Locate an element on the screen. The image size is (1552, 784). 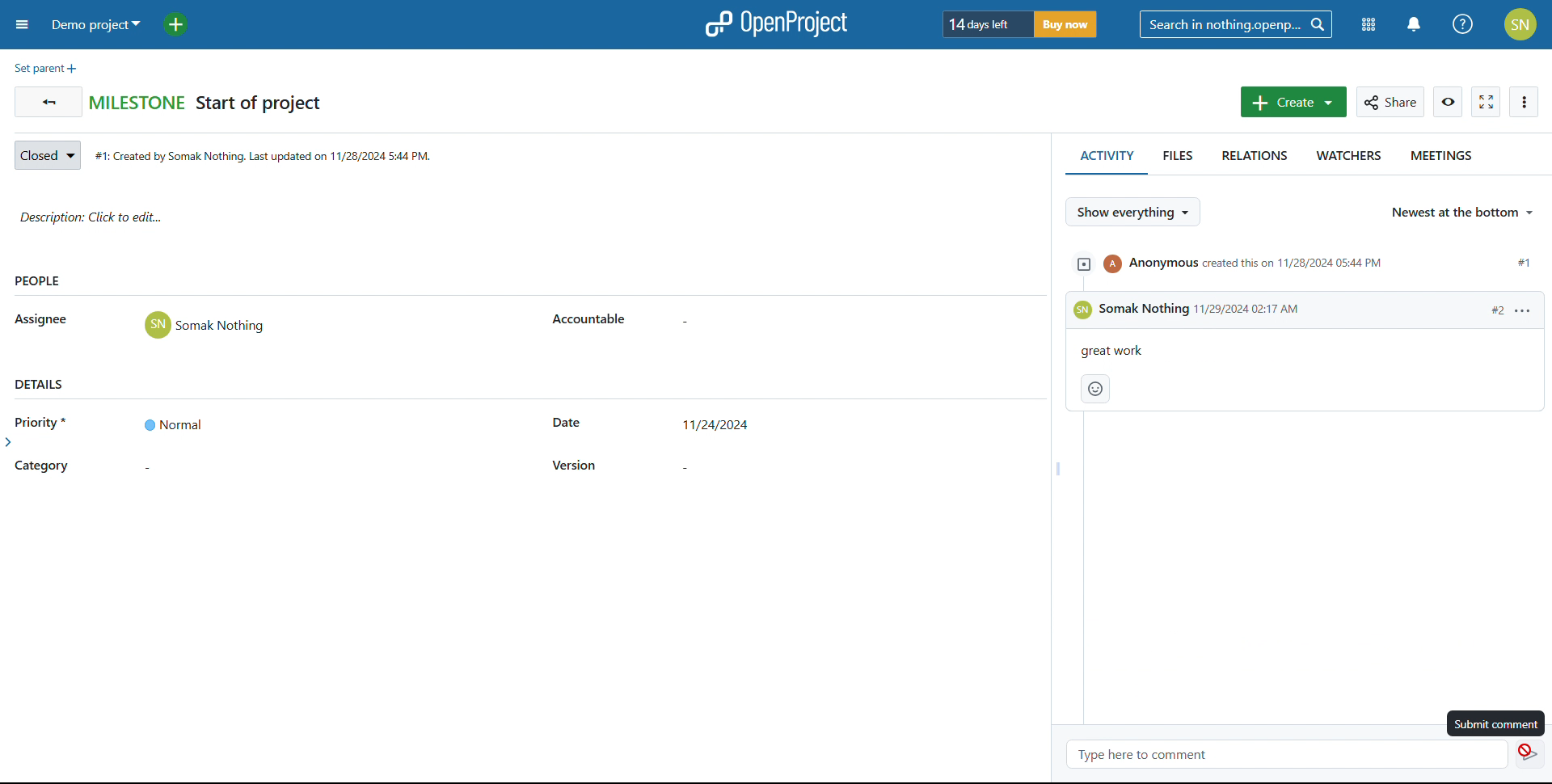
account is located at coordinates (1520, 24).